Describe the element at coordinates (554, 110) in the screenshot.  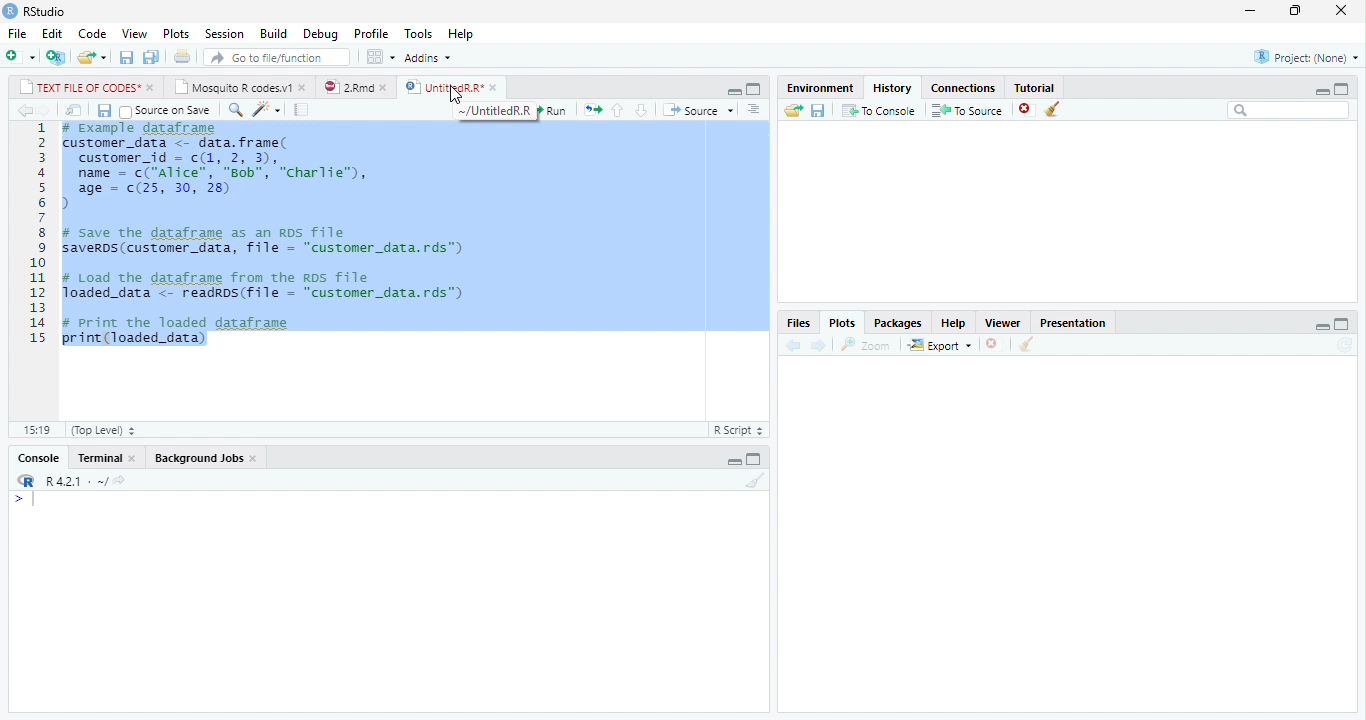
I see `Run` at that location.